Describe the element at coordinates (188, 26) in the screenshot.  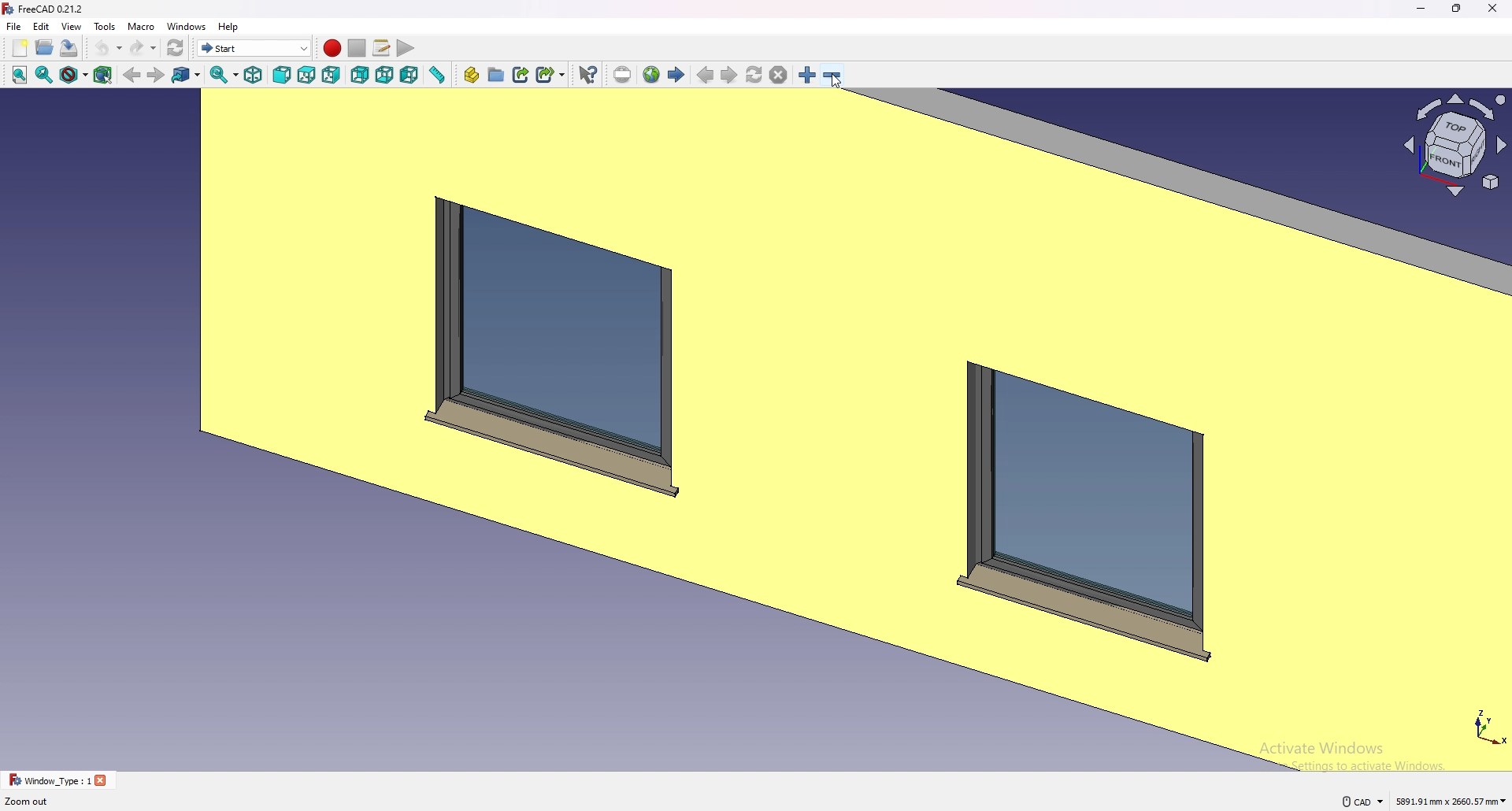
I see `windows` at that location.